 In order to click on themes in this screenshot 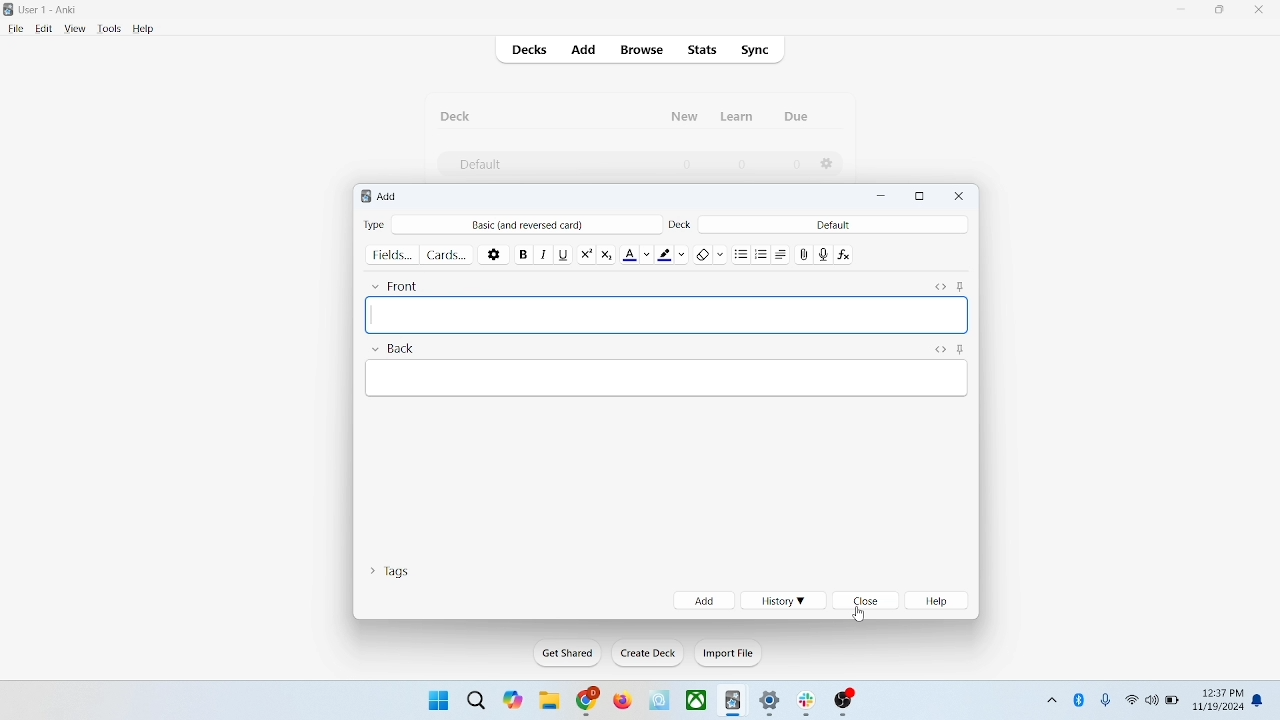, I will do `click(513, 700)`.